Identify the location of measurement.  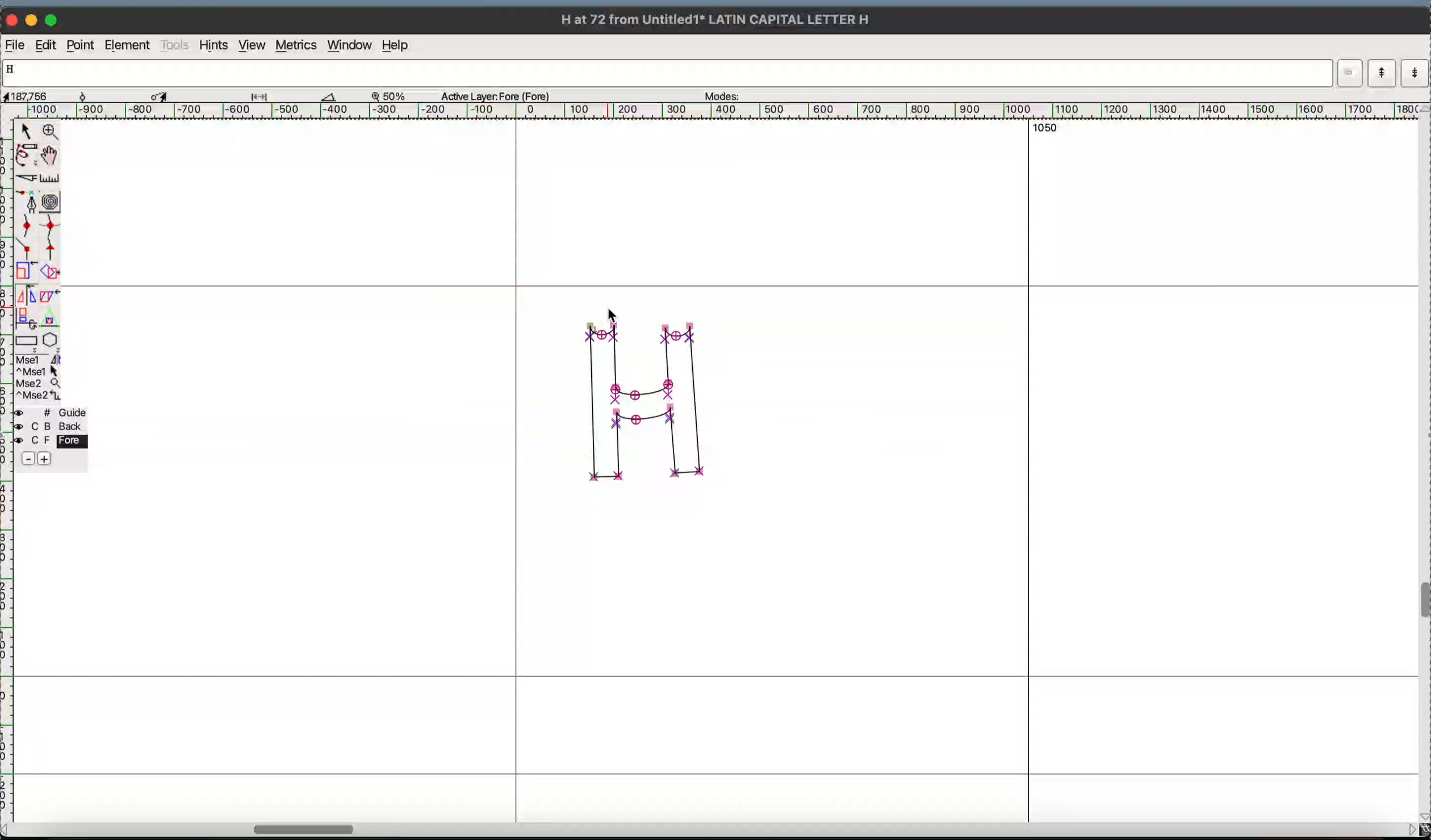
(242, 95).